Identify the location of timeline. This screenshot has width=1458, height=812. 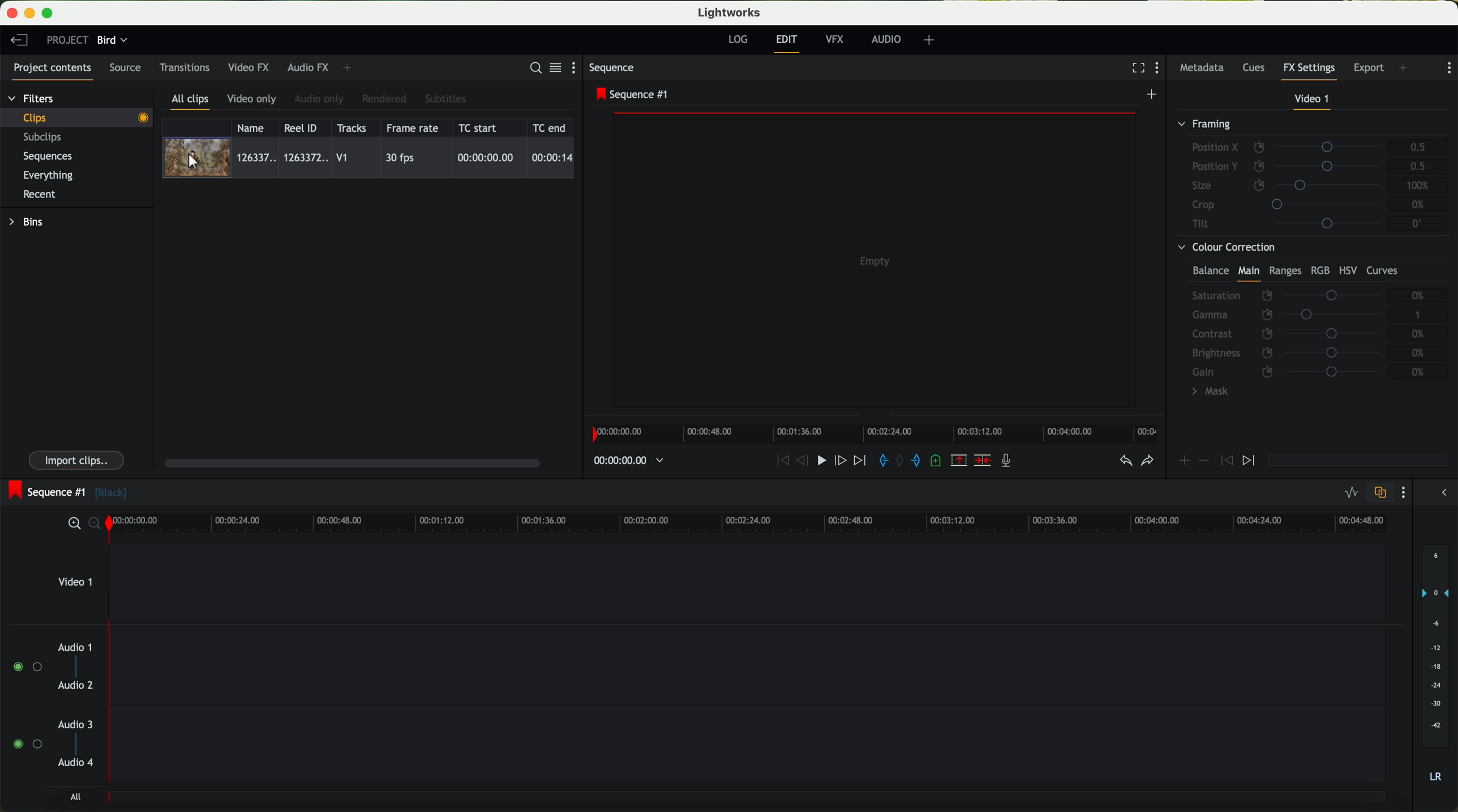
(778, 522).